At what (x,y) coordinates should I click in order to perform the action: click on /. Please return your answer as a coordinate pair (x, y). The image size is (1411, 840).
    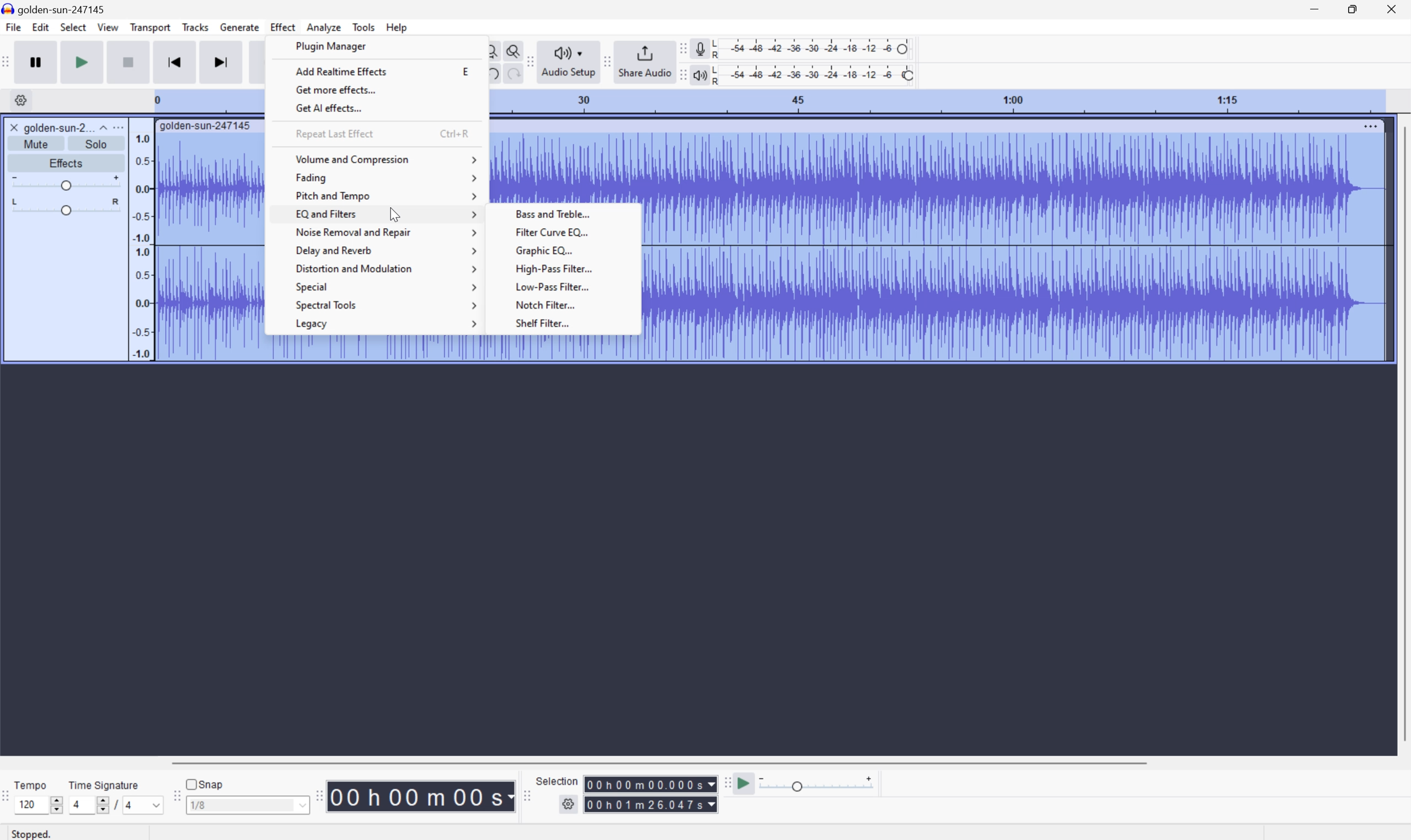
    Looking at the image, I should click on (115, 804).